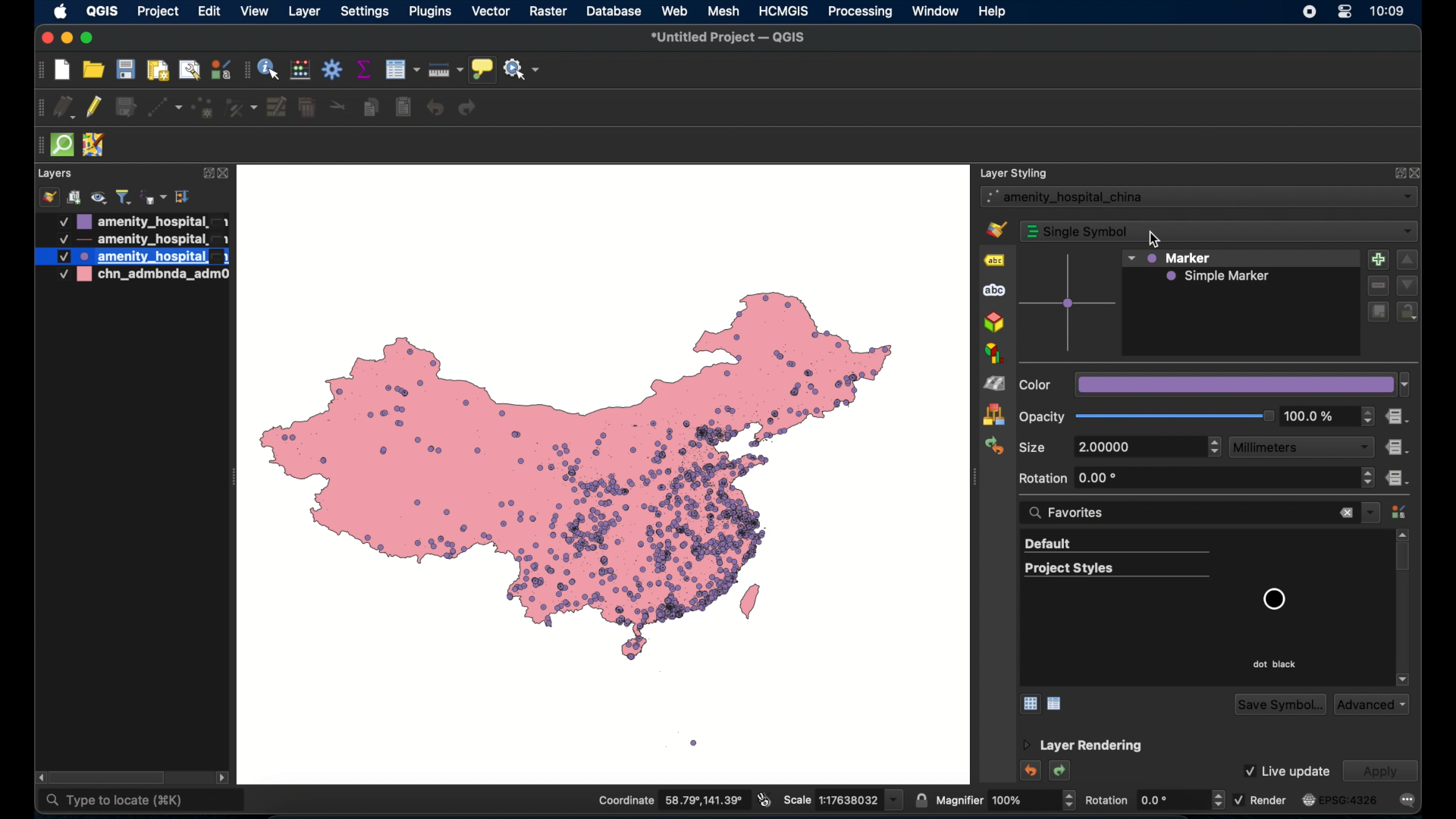 This screenshot has height=819, width=1456. What do you see at coordinates (994, 262) in the screenshot?
I see `abels` at bounding box center [994, 262].